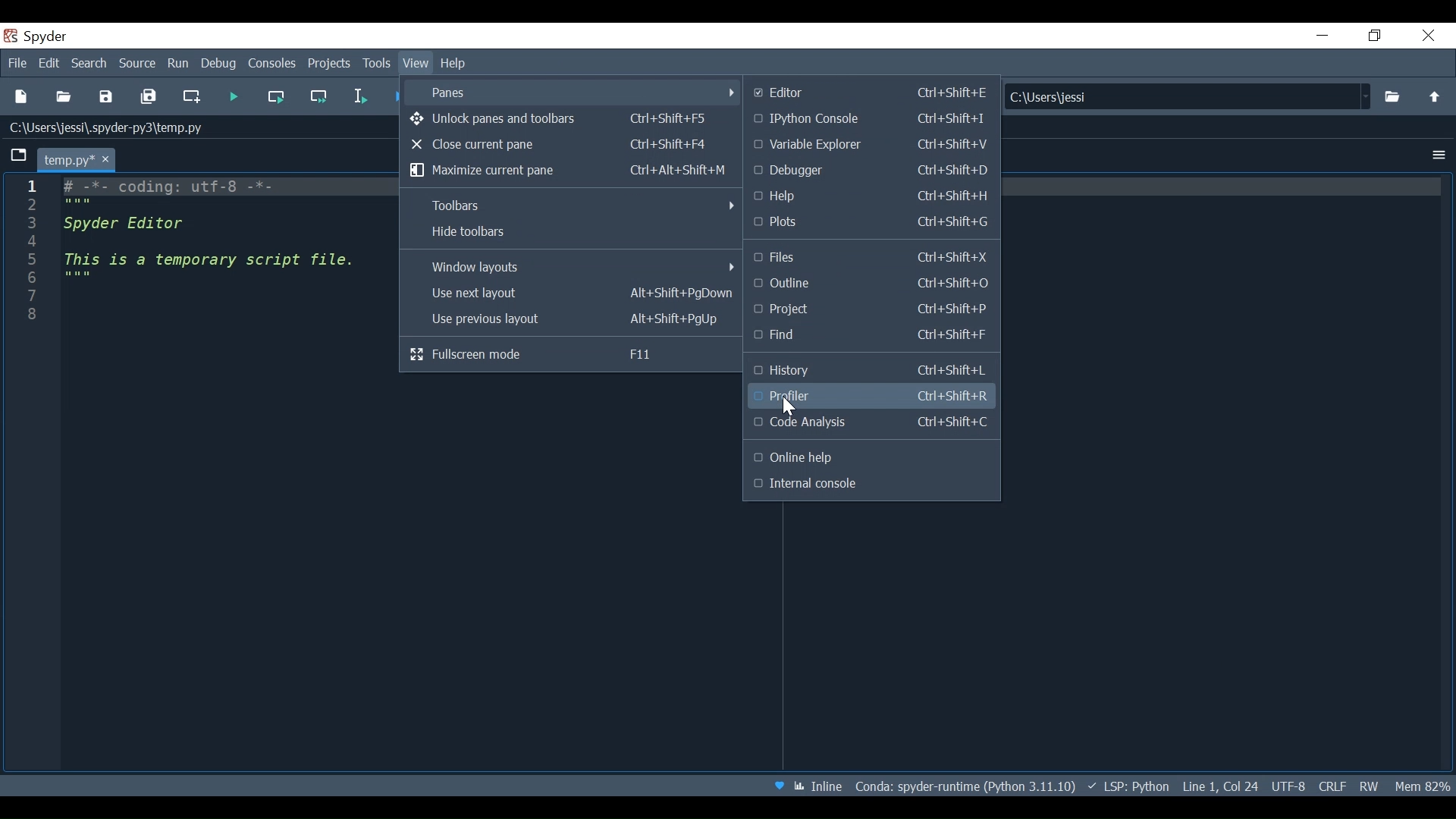 Image resolution: width=1456 pixels, height=819 pixels. I want to click on Spyder Desktop Icon, so click(11, 34).